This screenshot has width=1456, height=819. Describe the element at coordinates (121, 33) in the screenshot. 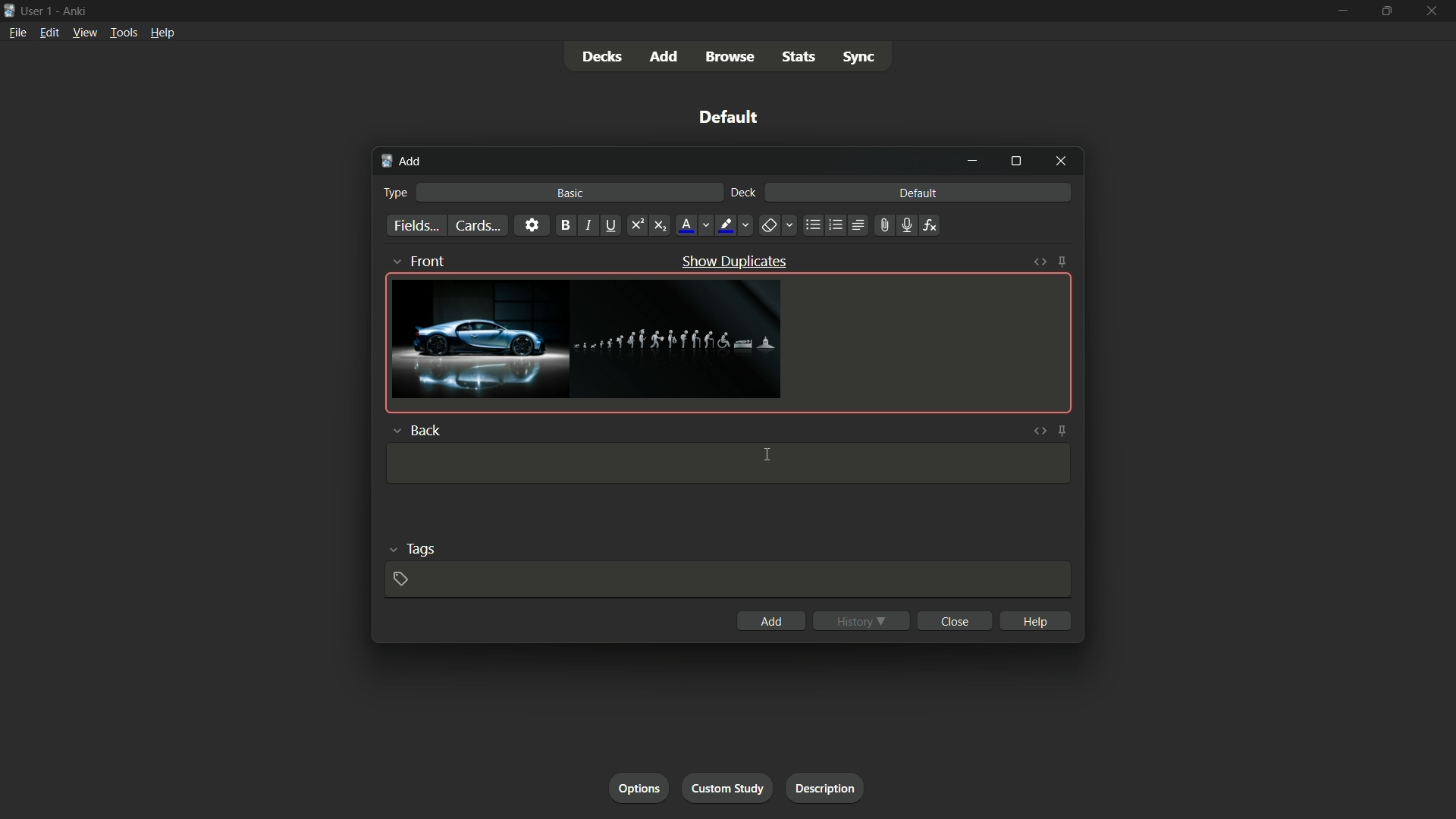

I see `tools menu` at that location.